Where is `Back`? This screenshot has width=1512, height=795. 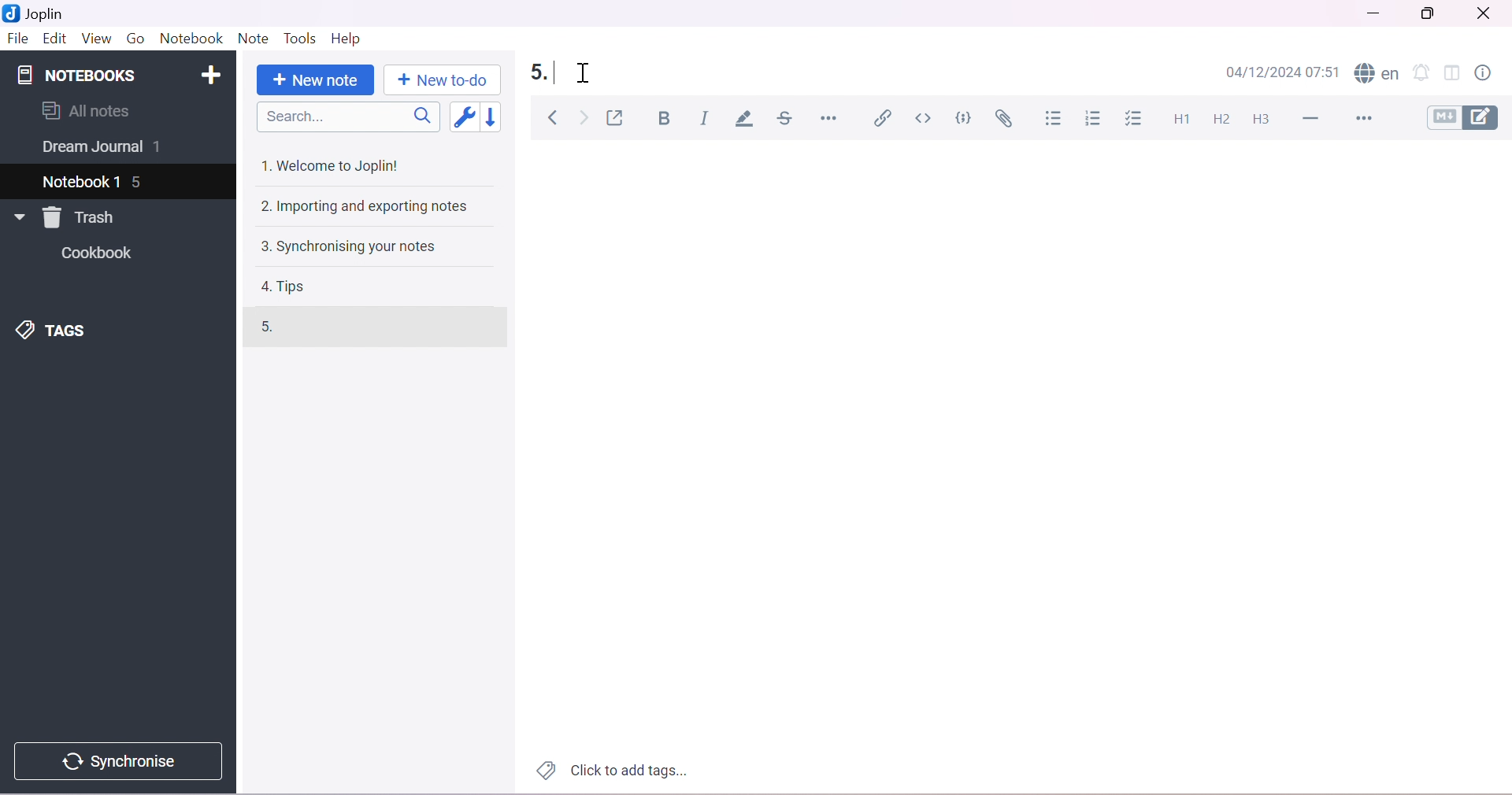
Back is located at coordinates (555, 118).